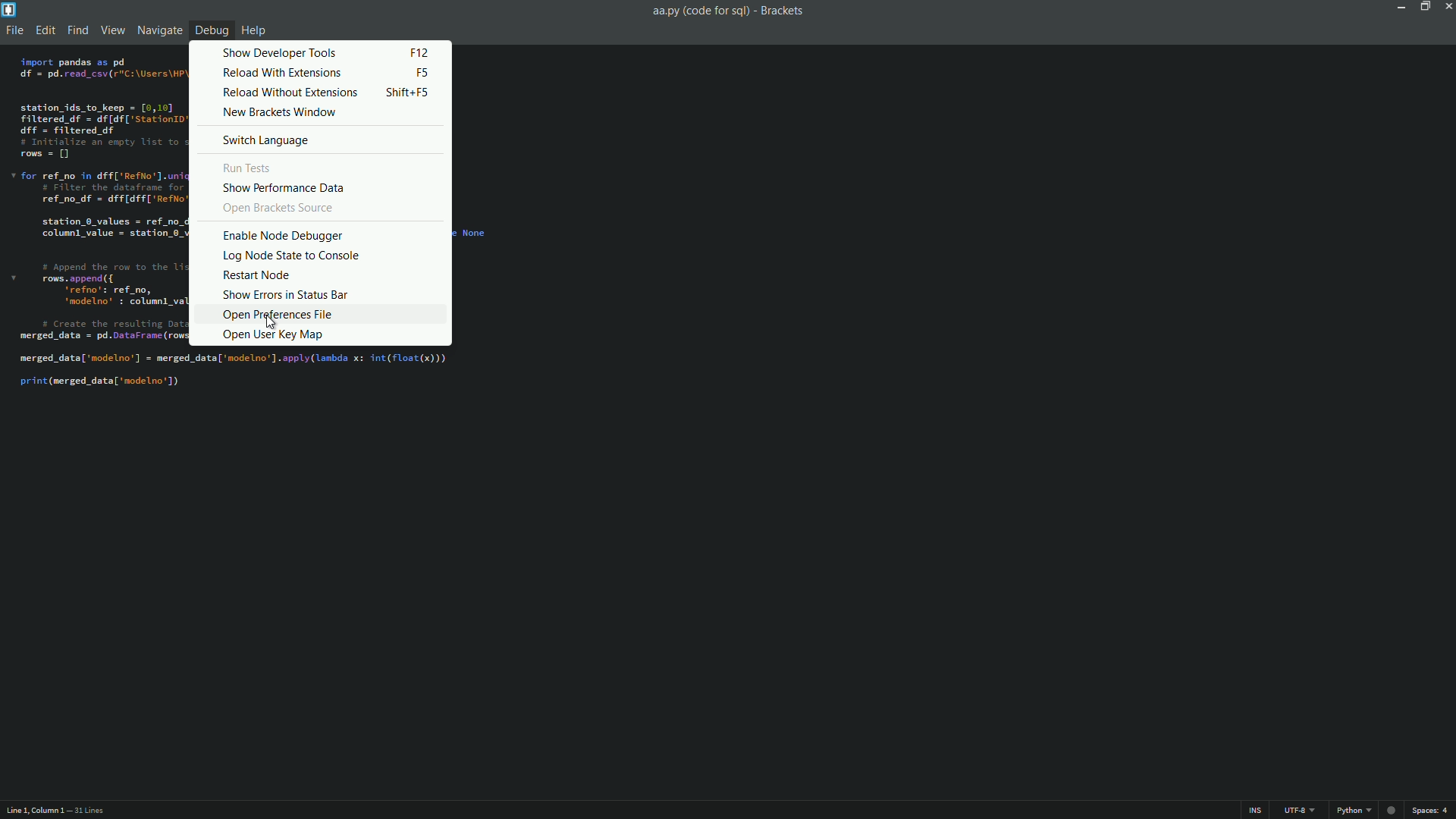 The height and width of the screenshot is (819, 1456). Describe the element at coordinates (212, 28) in the screenshot. I see `debug menu` at that location.